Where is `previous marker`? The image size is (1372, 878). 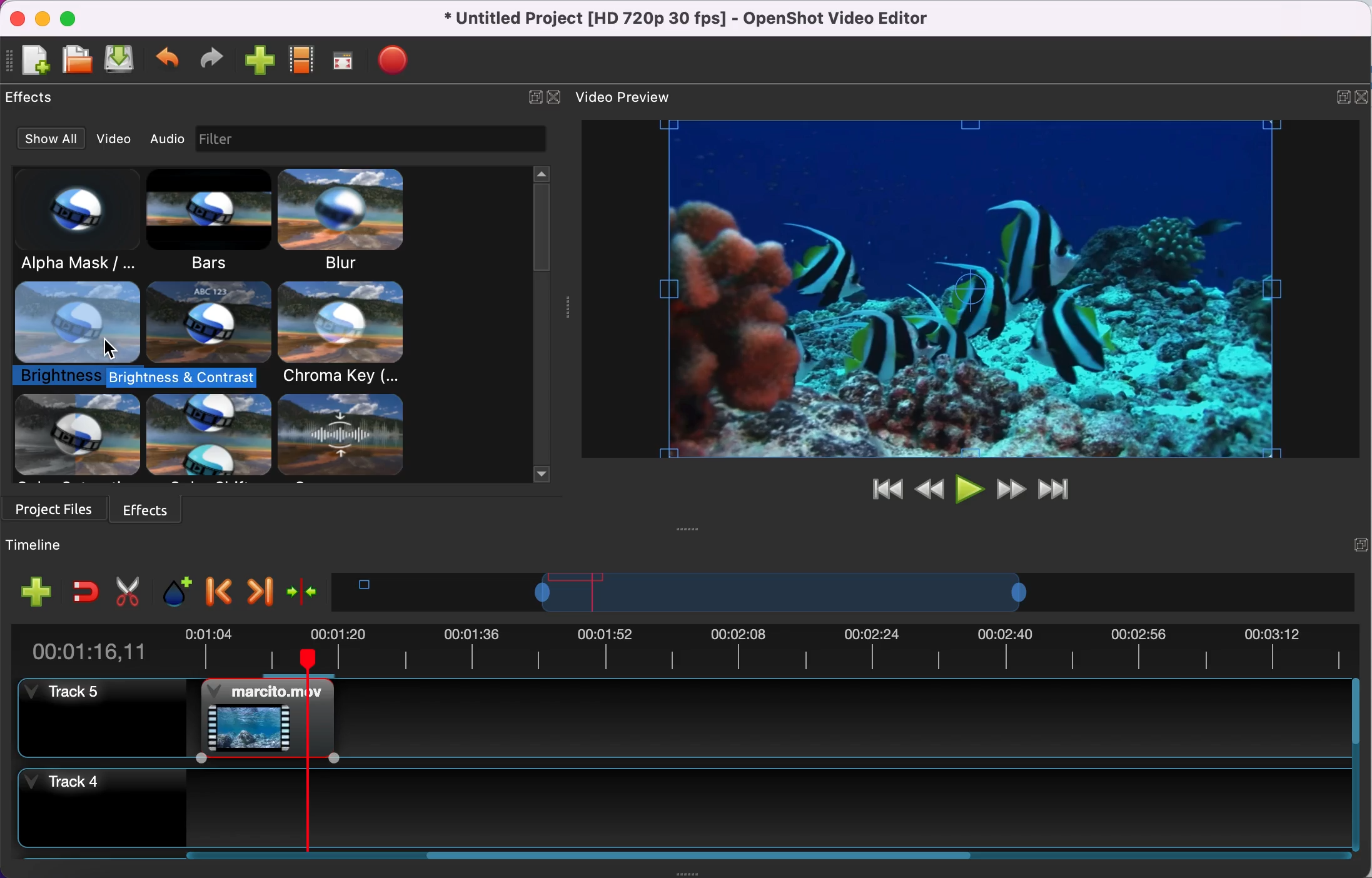
previous marker is located at coordinates (218, 590).